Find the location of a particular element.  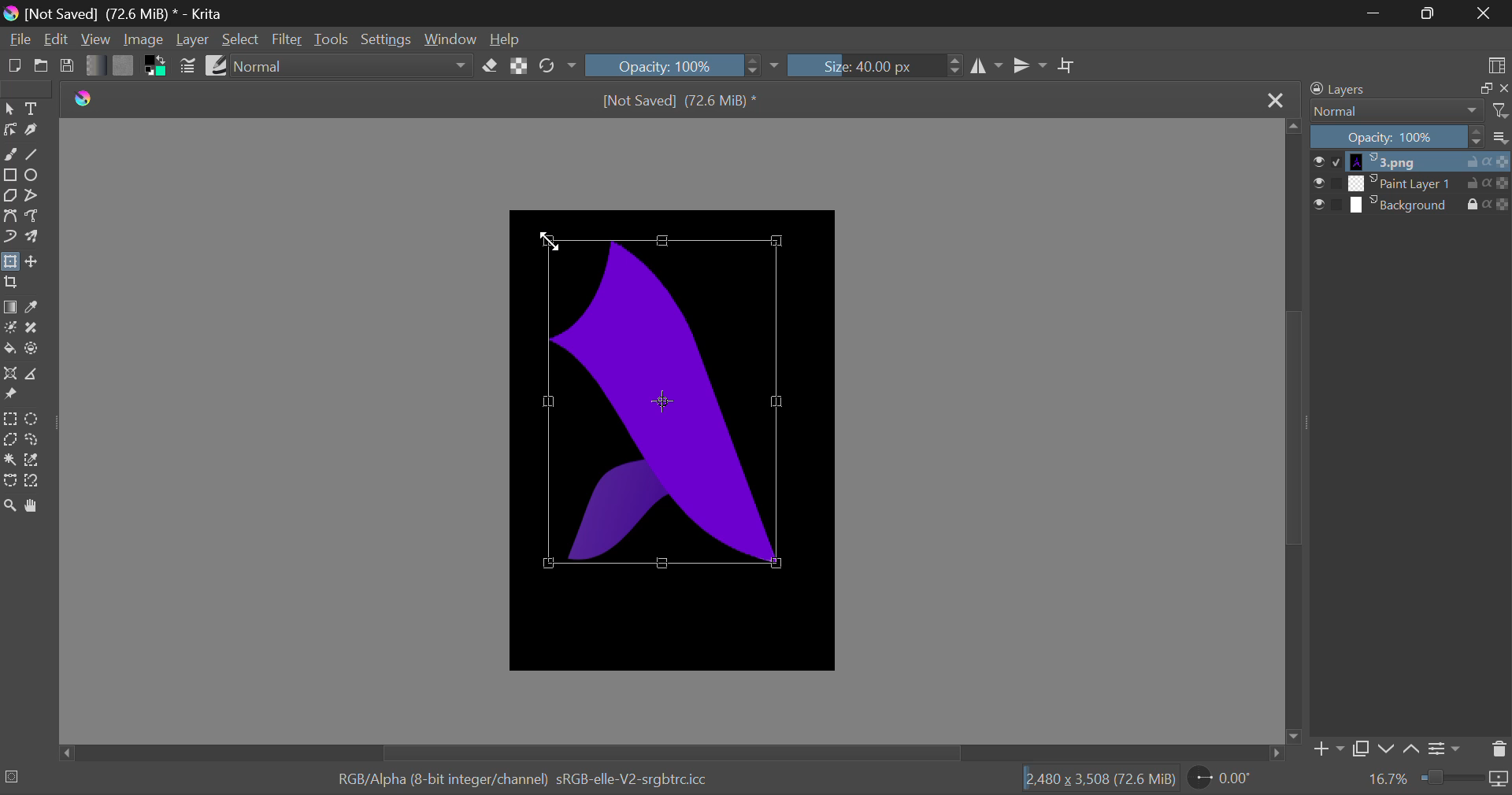

checkbox is located at coordinates (1328, 162).